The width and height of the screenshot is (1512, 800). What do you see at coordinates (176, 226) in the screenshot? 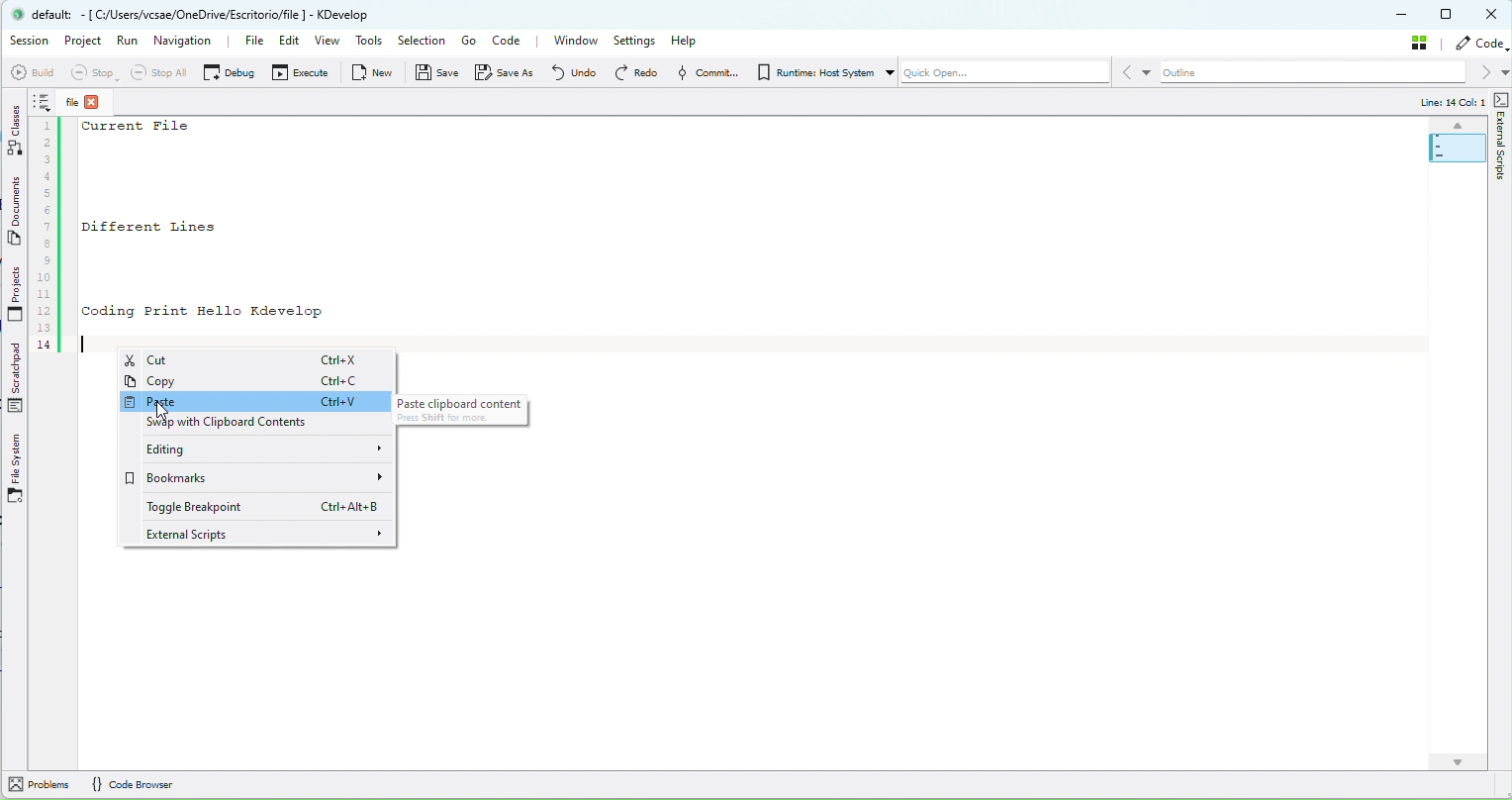
I see `Different Lines` at bounding box center [176, 226].